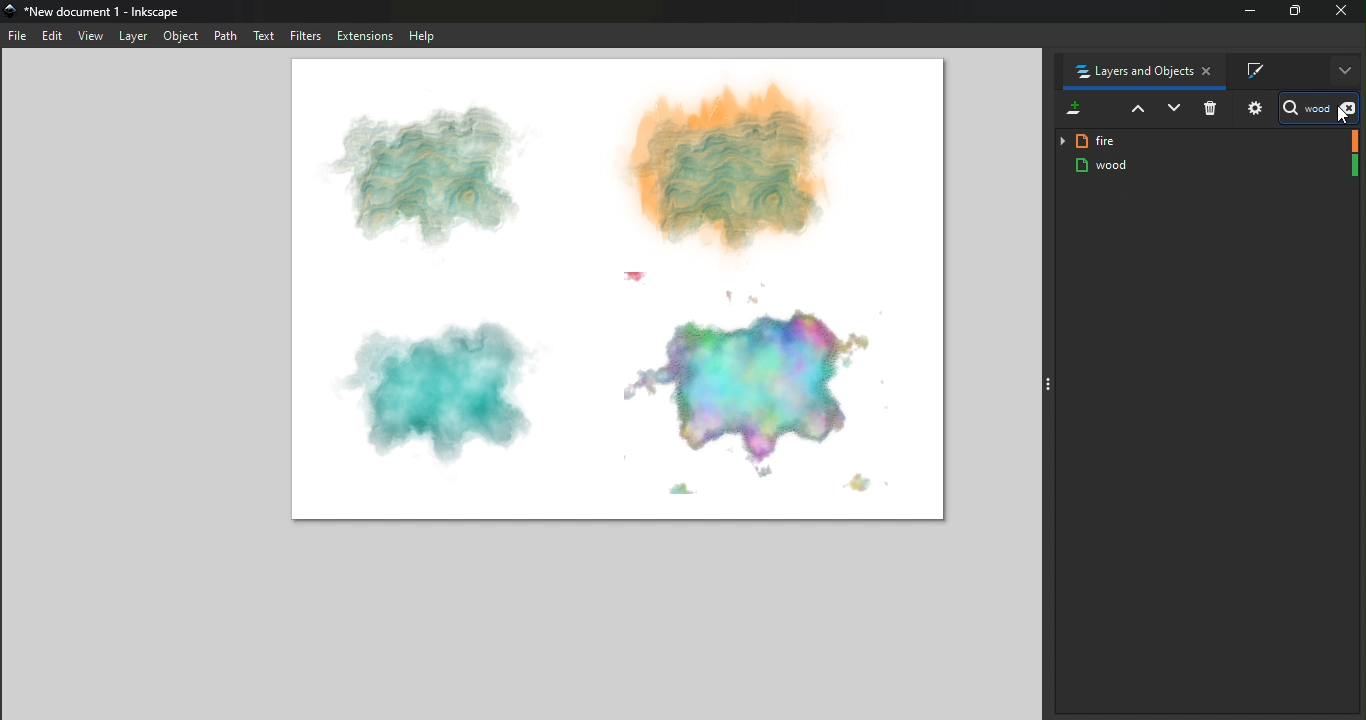  What do you see at coordinates (19, 36) in the screenshot?
I see `File` at bounding box center [19, 36].